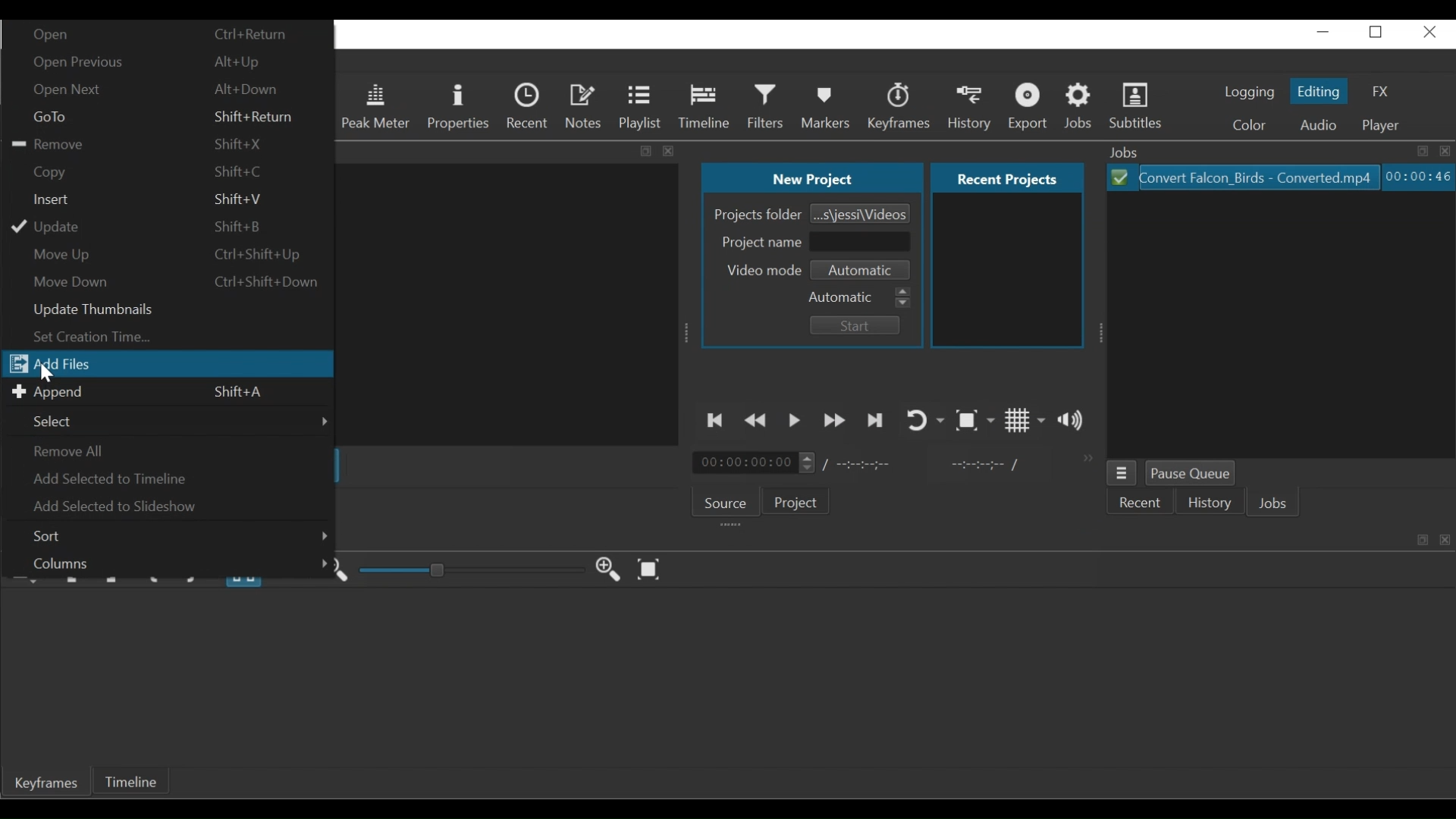 This screenshot has width=1456, height=819. What do you see at coordinates (583, 106) in the screenshot?
I see `Notes` at bounding box center [583, 106].